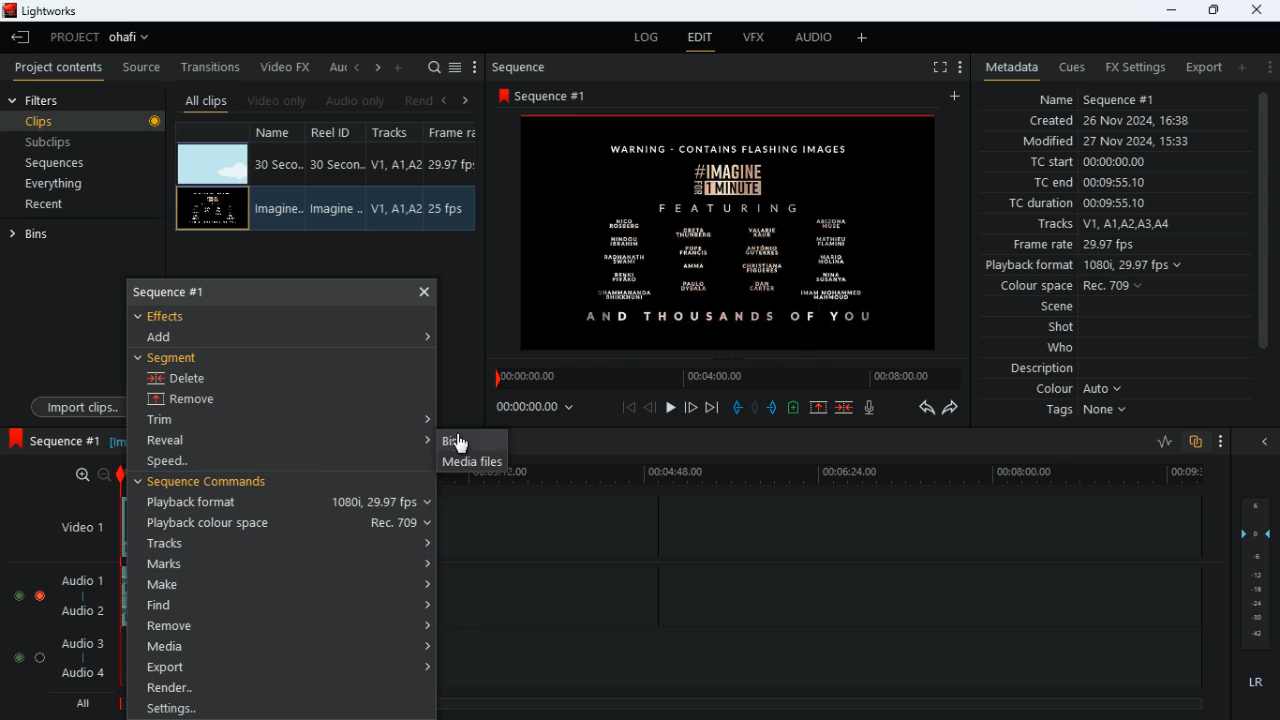 Image resolution: width=1280 pixels, height=720 pixels. I want to click on tracks, so click(1107, 224).